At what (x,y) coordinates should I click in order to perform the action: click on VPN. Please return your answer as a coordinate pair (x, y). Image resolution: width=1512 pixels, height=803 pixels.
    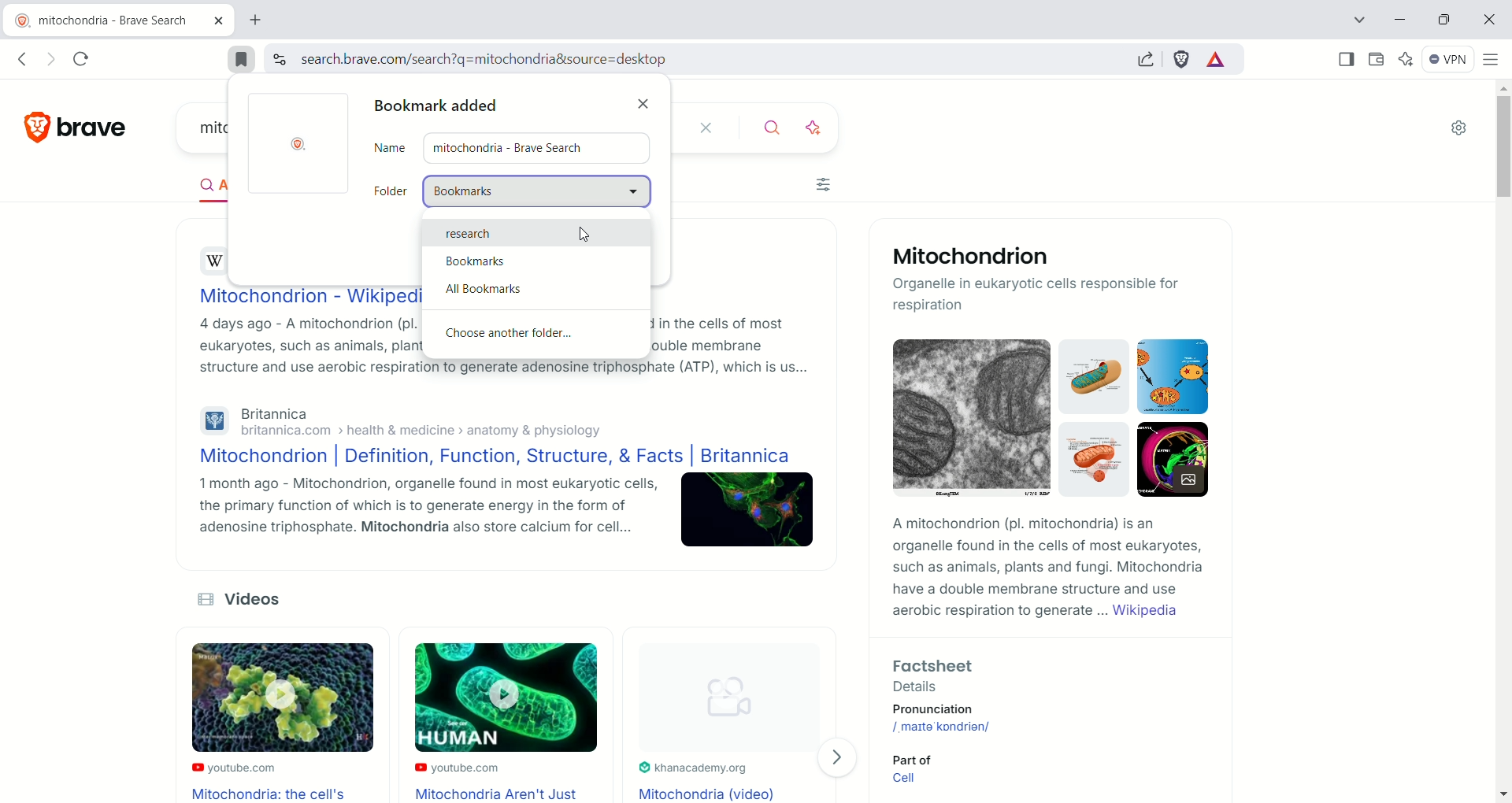
    Looking at the image, I should click on (1451, 60).